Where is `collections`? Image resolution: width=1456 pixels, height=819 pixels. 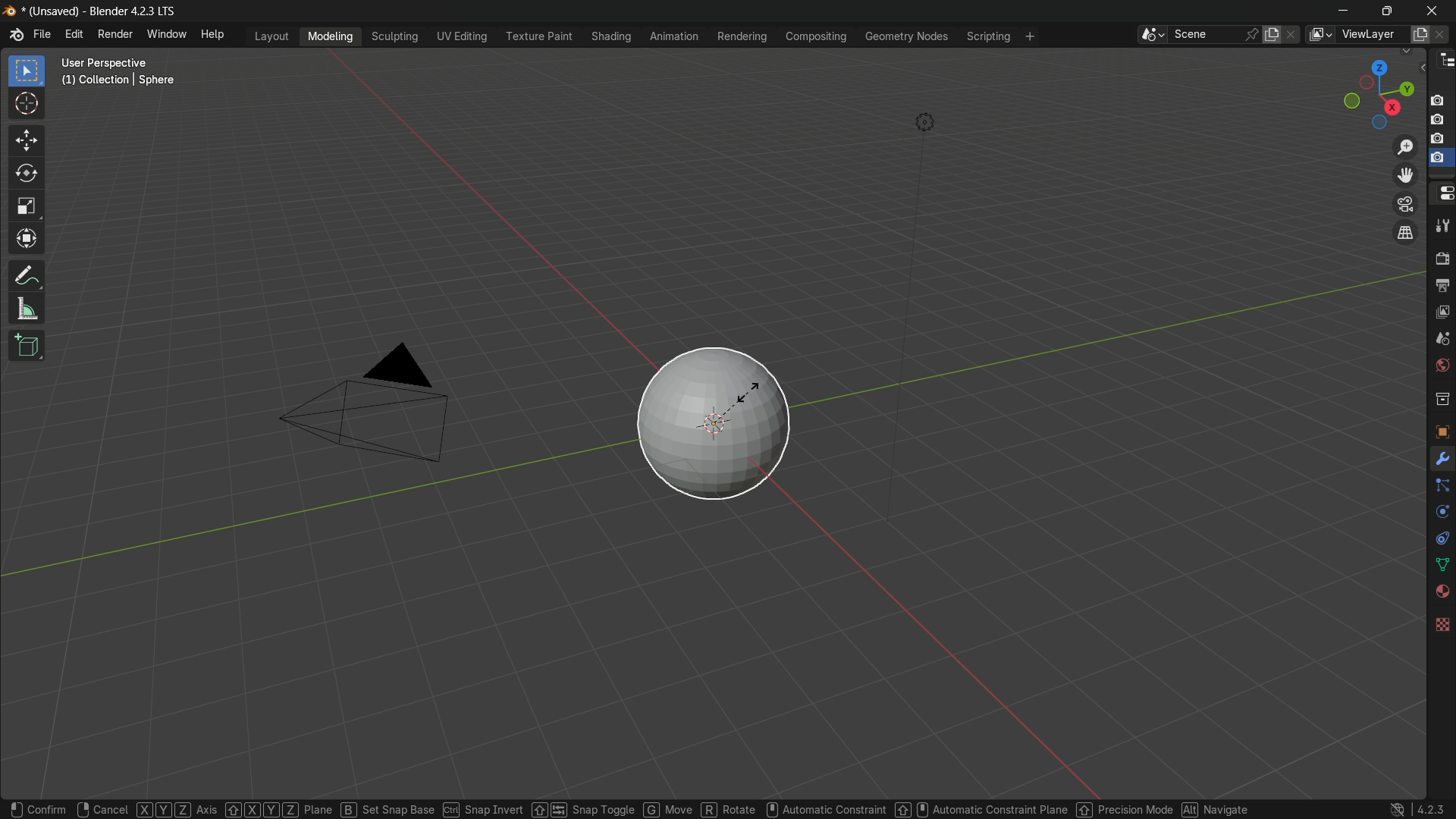
collections is located at coordinates (1442, 400).